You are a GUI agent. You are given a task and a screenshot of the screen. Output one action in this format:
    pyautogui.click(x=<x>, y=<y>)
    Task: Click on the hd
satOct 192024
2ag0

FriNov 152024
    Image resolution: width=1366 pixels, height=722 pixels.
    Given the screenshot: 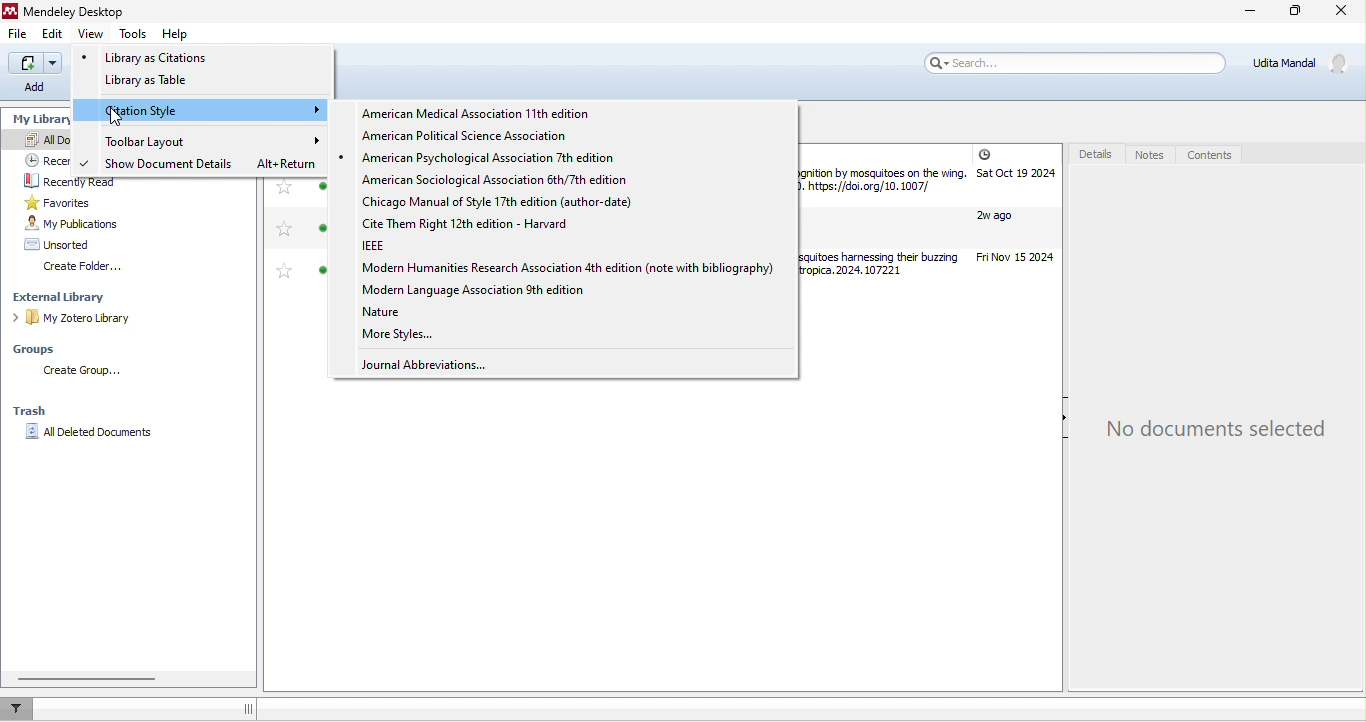 What is the action you would take?
    pyautogui.click(x=1015, y=209)
    